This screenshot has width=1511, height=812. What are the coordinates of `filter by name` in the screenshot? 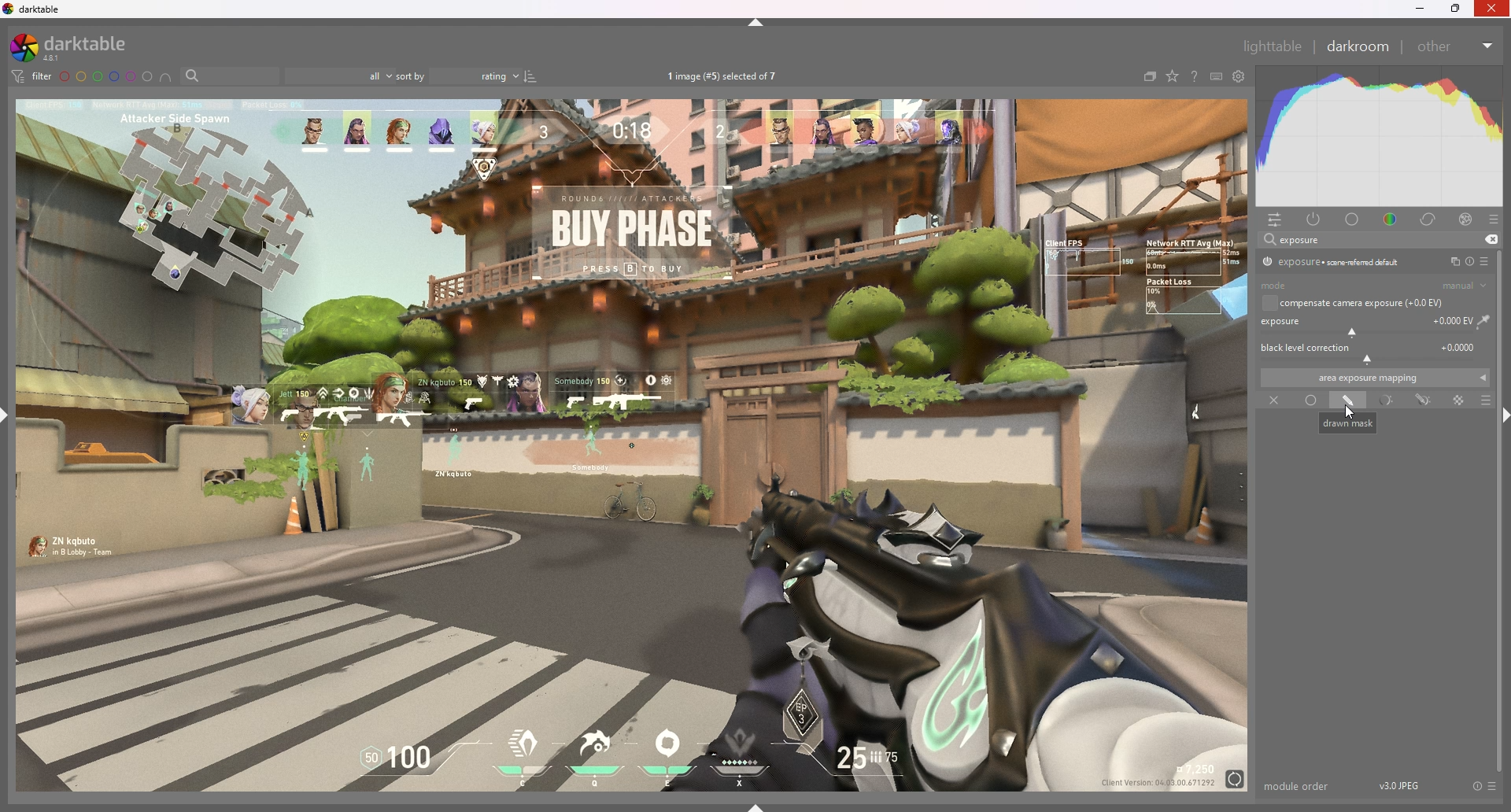 It's located at (230, 75).